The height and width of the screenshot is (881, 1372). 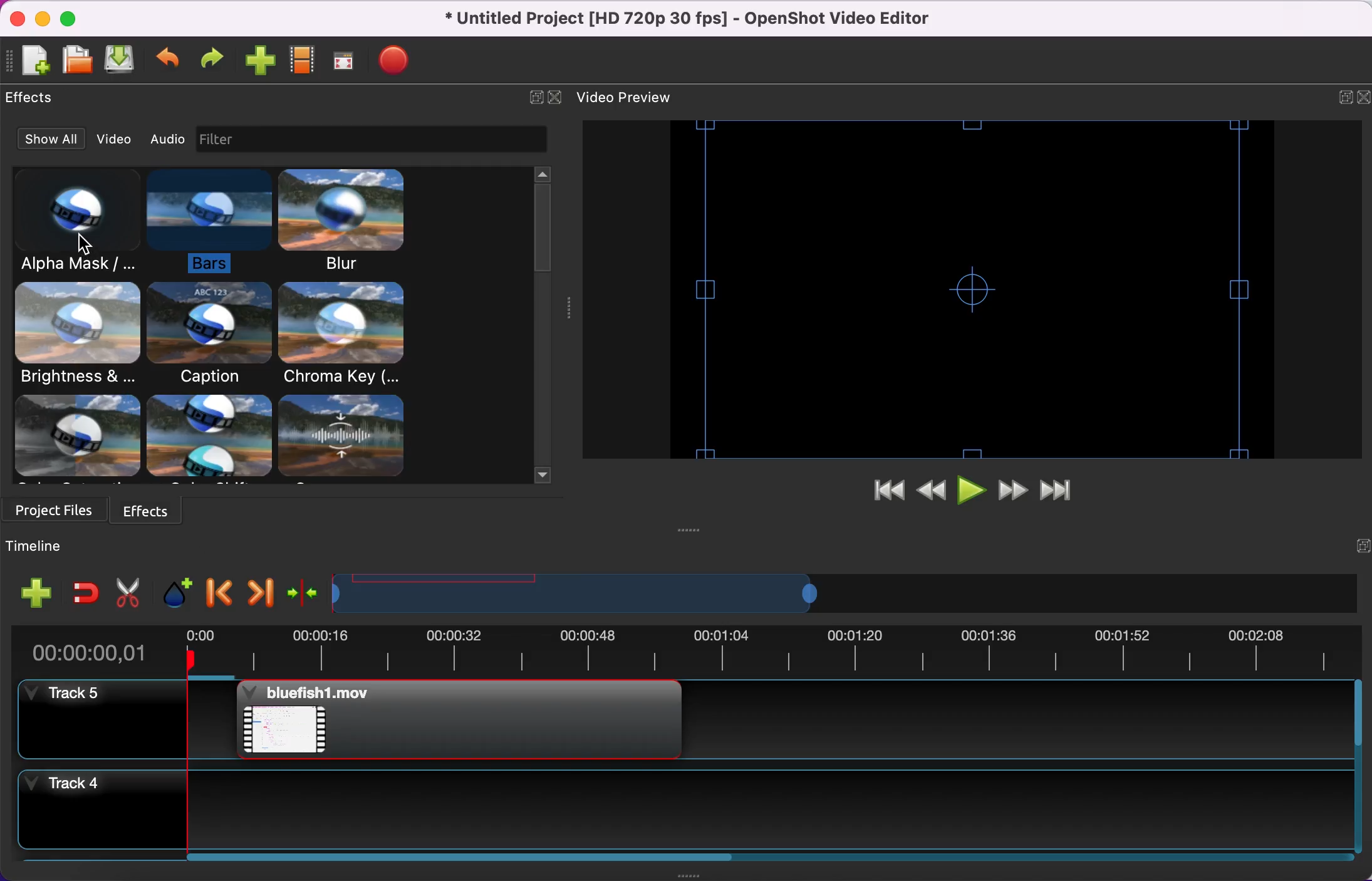 I want to click on next marker, so click(x=257, y=592).